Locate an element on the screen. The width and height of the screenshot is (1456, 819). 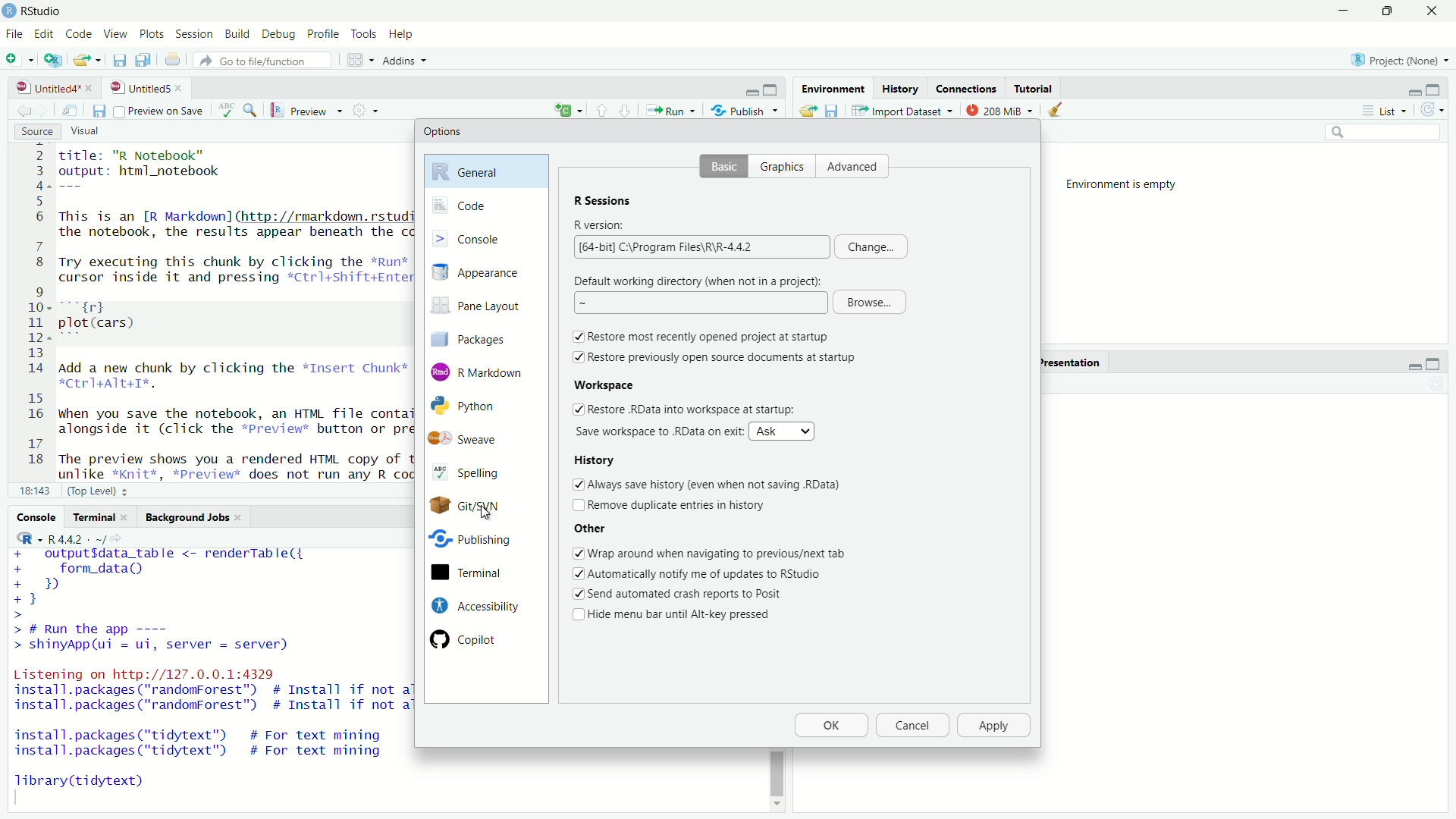
Browse... is located at coordinates (870, 303).